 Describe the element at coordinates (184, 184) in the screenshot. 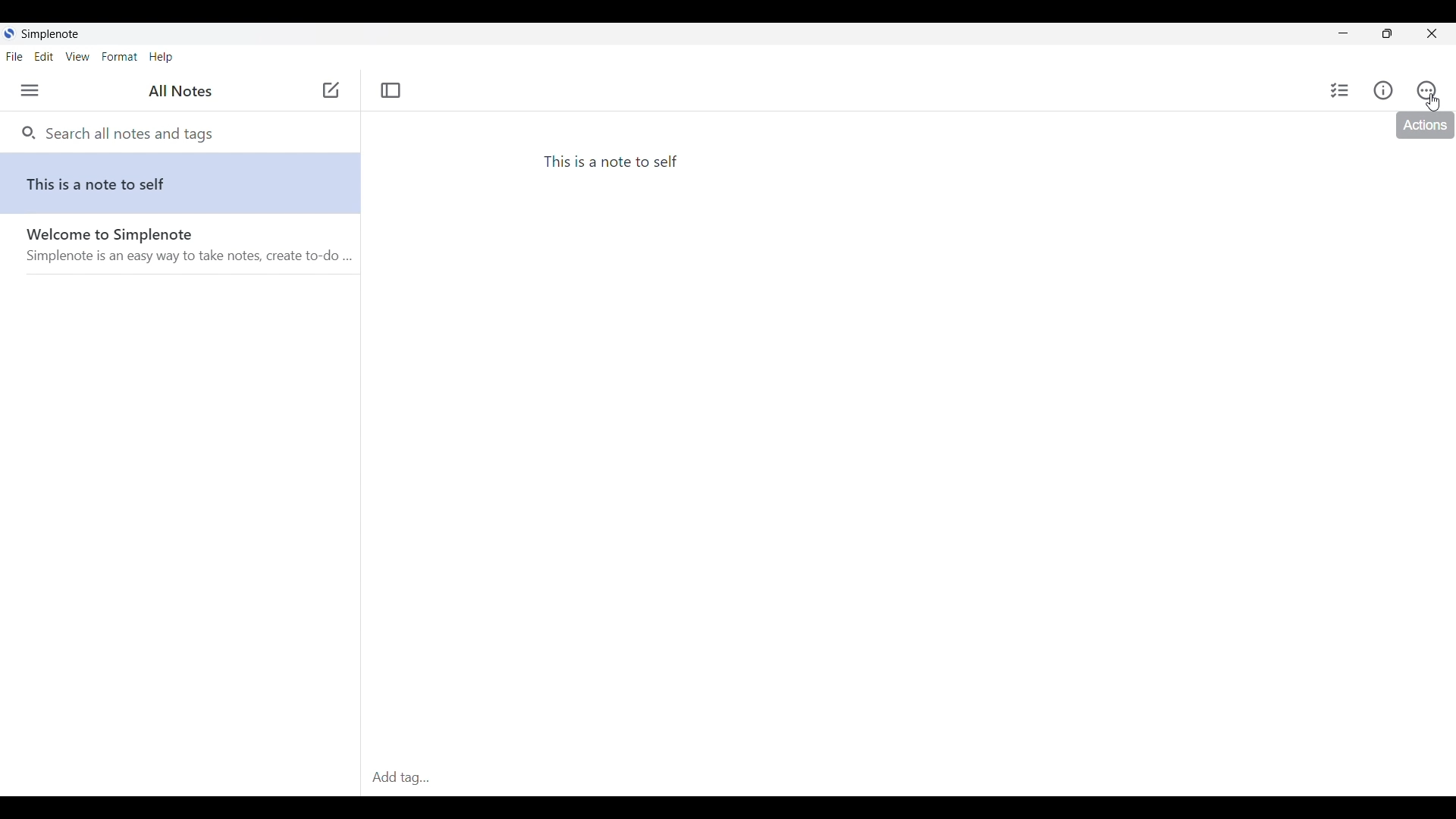

I see `This is a note to self` at that location.